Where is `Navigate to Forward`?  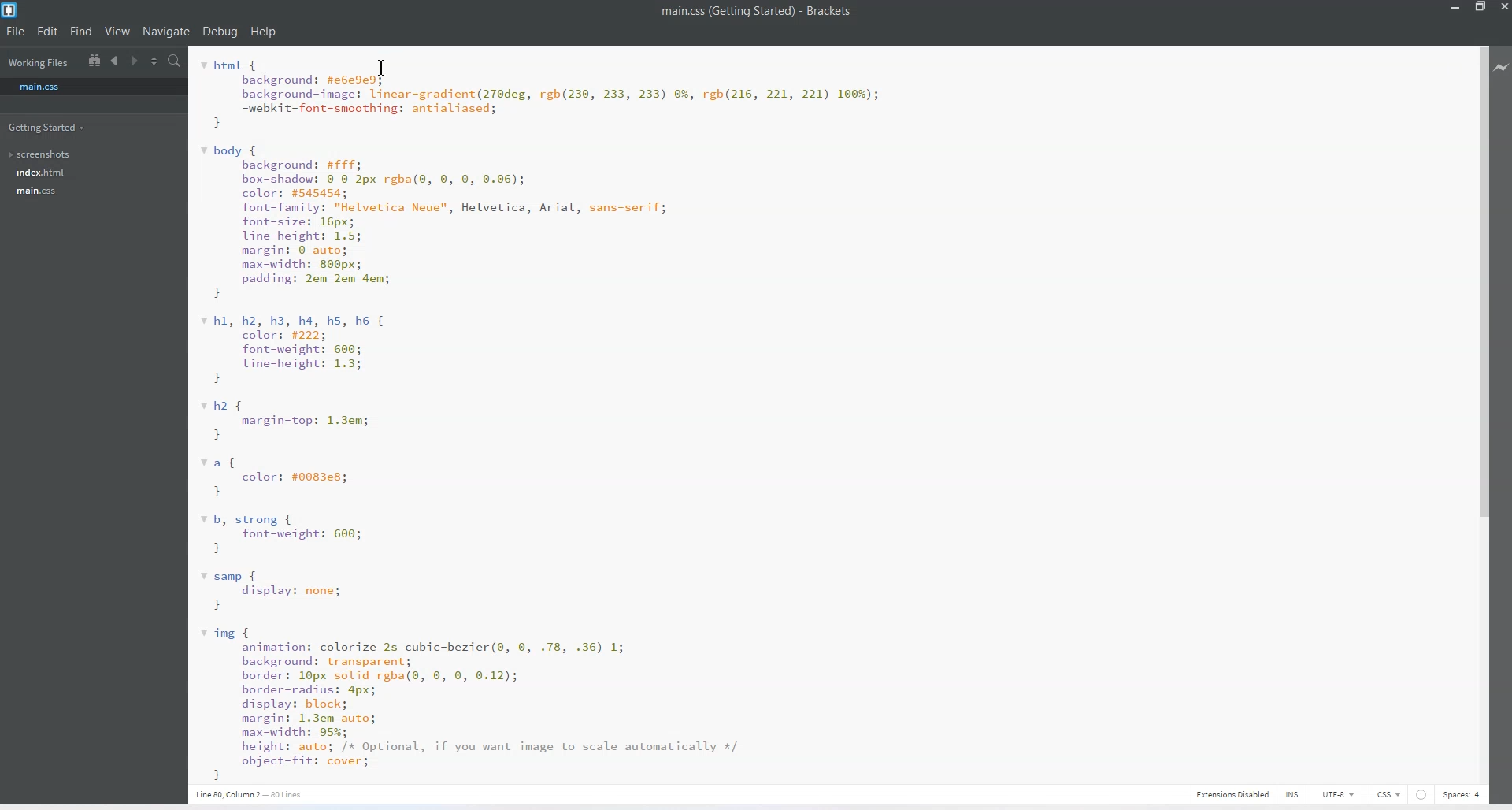 Navigate to Forward is located at coordinates (136, 61).